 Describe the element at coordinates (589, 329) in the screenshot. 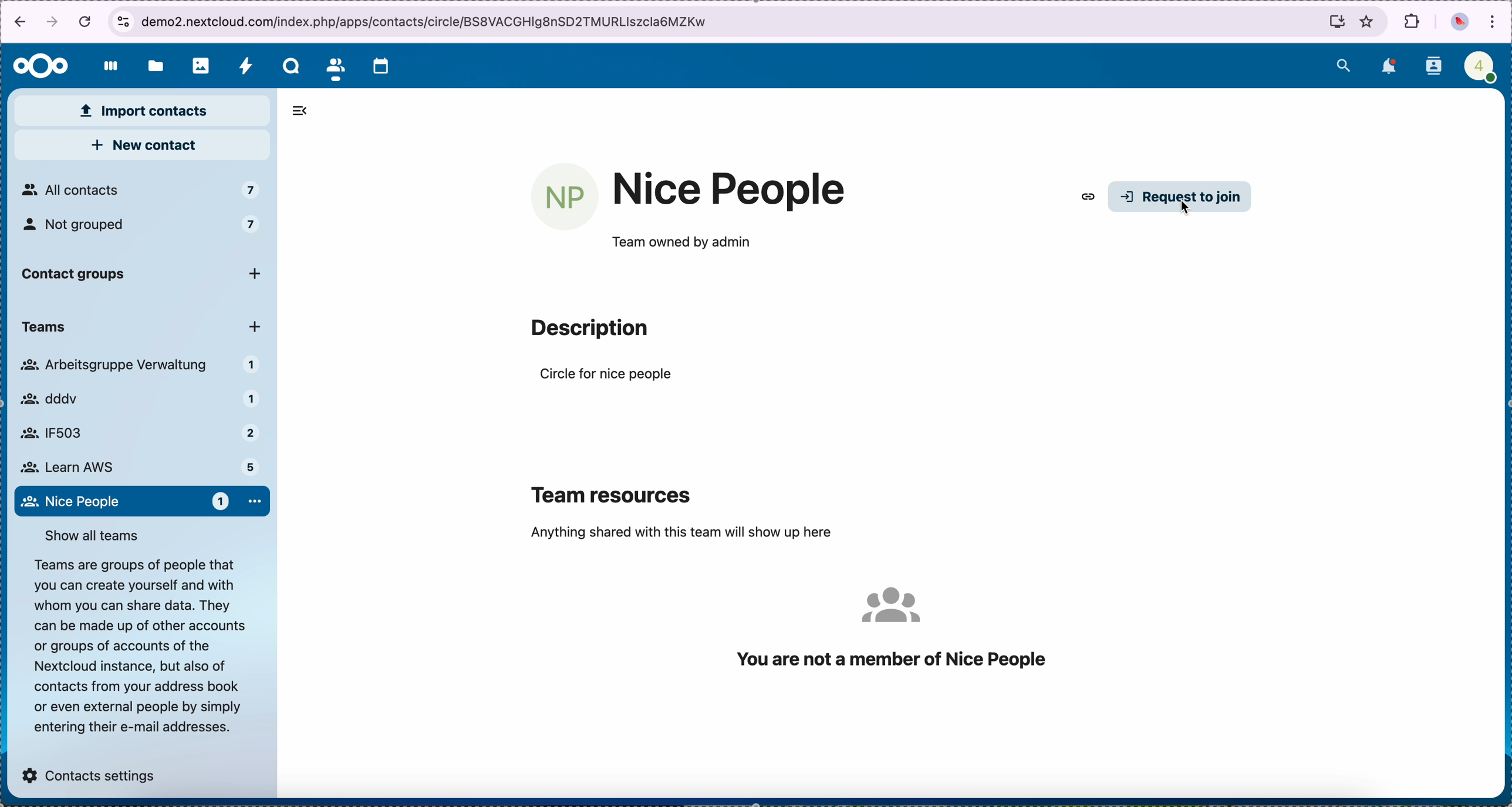

I see `description` at that location.